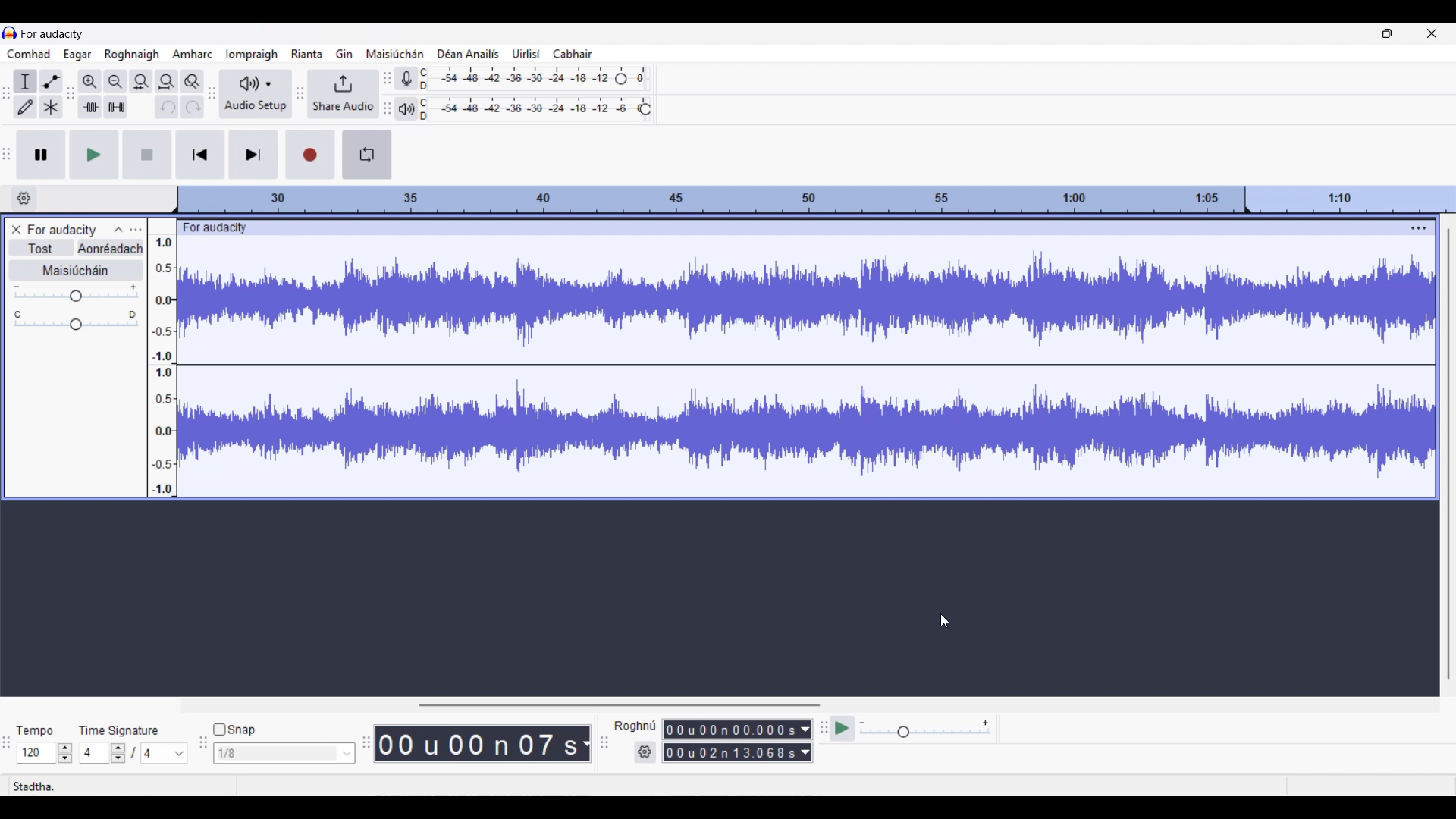 This screenshot has width=1456, height=819. I want to click on Collapse , so click(118, 230).